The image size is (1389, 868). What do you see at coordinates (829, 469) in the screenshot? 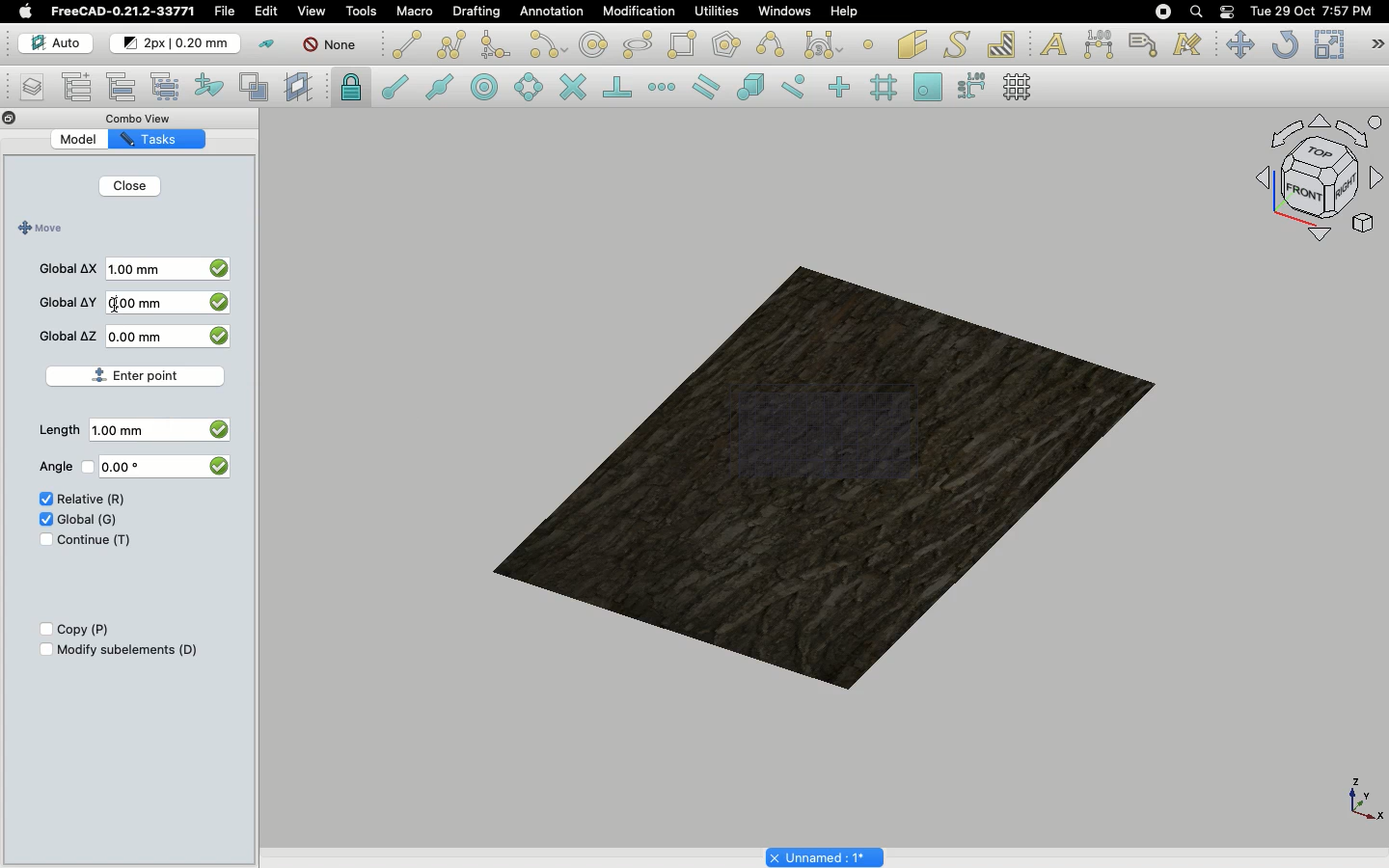
I see `Object selected` at bounding box center [829, 469].